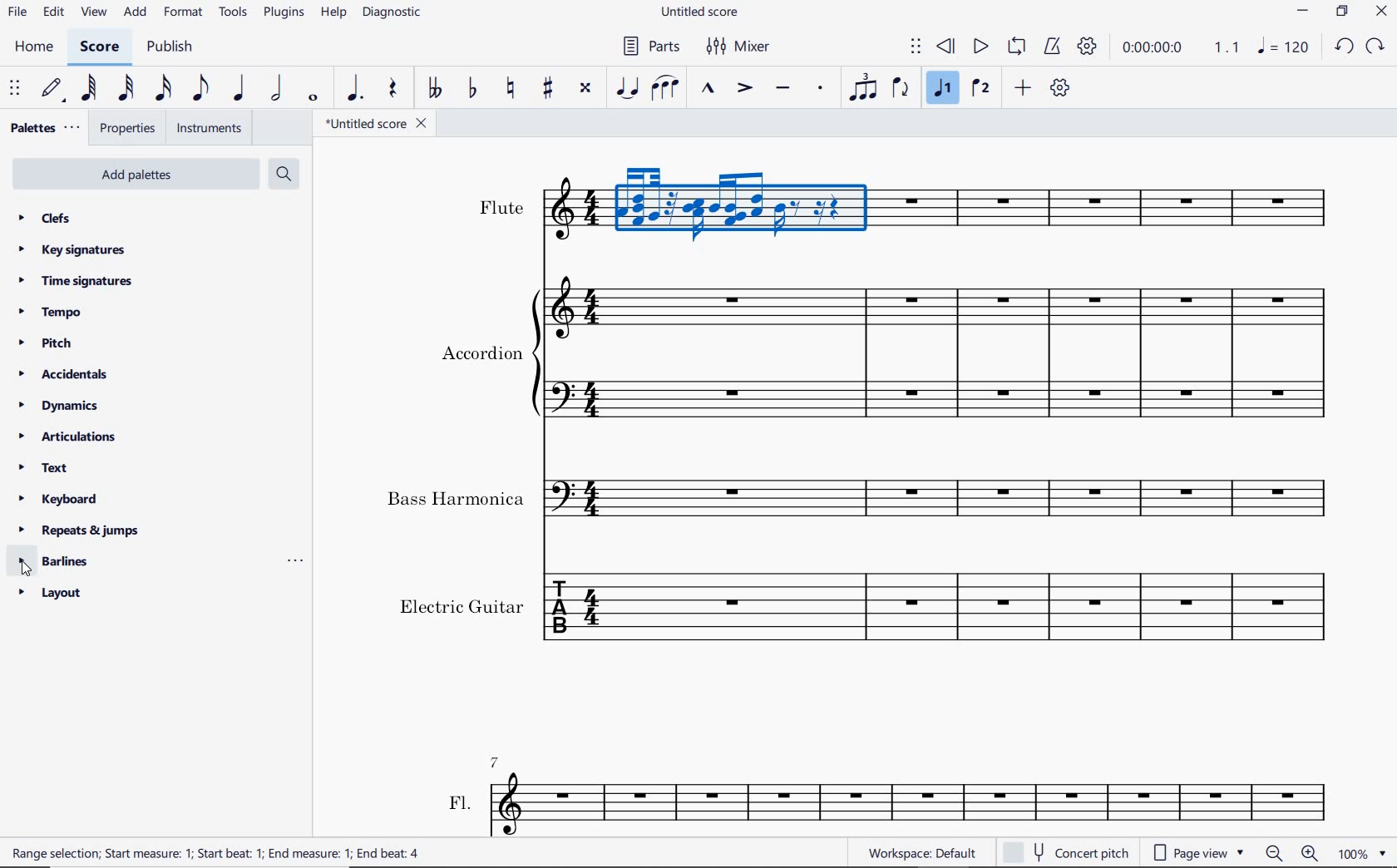  Describe the element at coordinates (391, 88) in the screenshot. I see `rest` at that location.